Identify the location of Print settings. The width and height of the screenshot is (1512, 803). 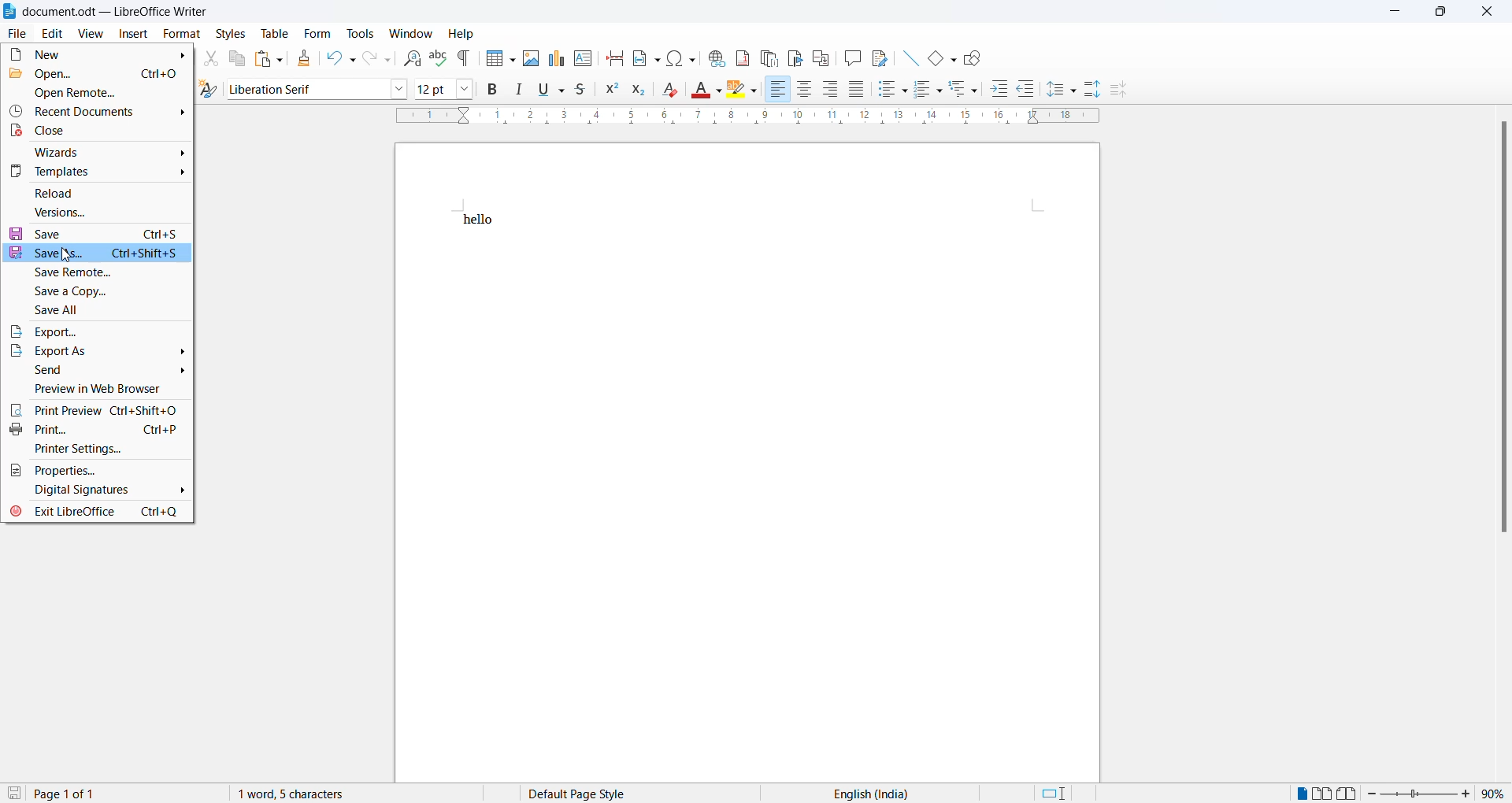
(94, 449).